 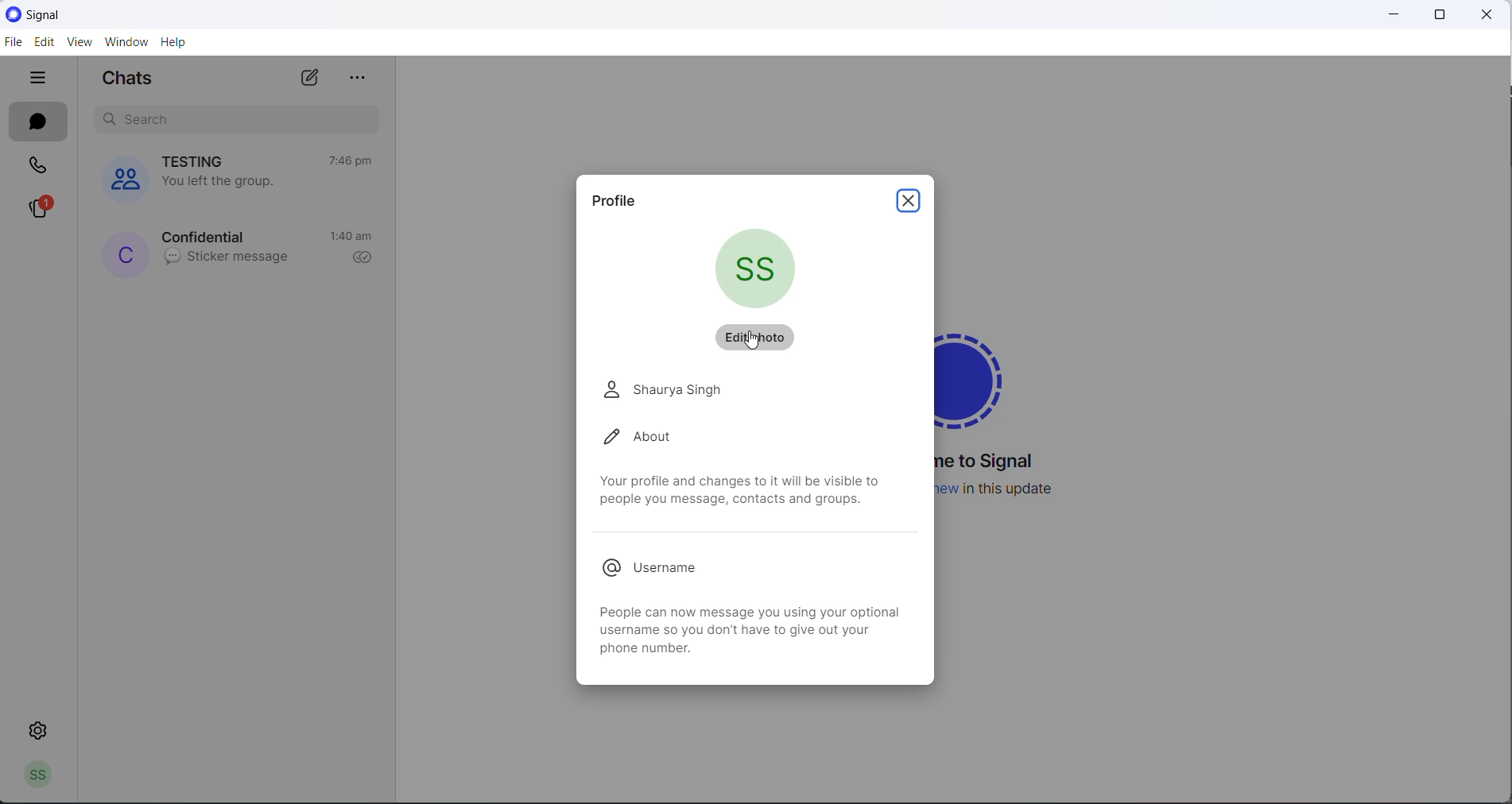 What do you see at coordinates (657, 438) in the screenshot?
I see `about` at bounding box center [657, 438].